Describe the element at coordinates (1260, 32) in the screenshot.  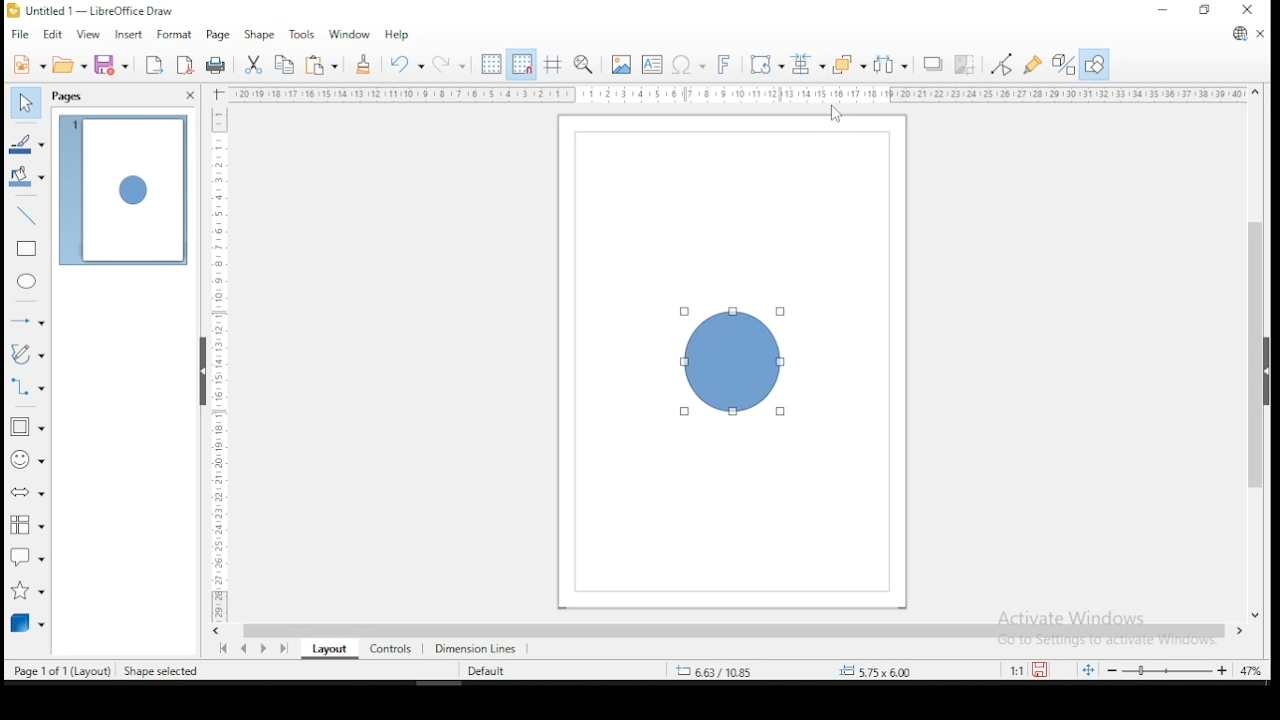
I see `close document` at that location.